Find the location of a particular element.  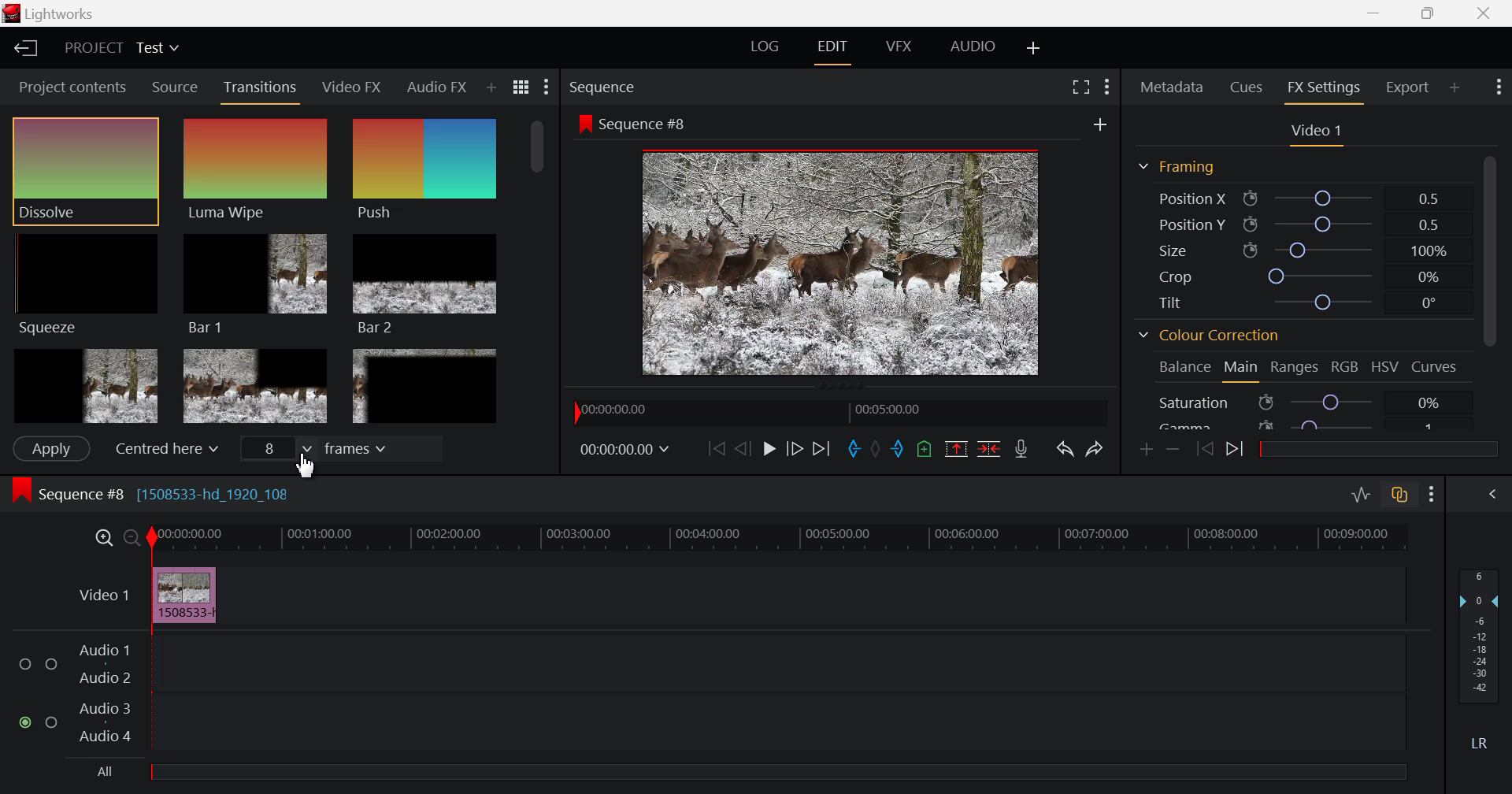

Gamma is located at coordinates (1303, 426).